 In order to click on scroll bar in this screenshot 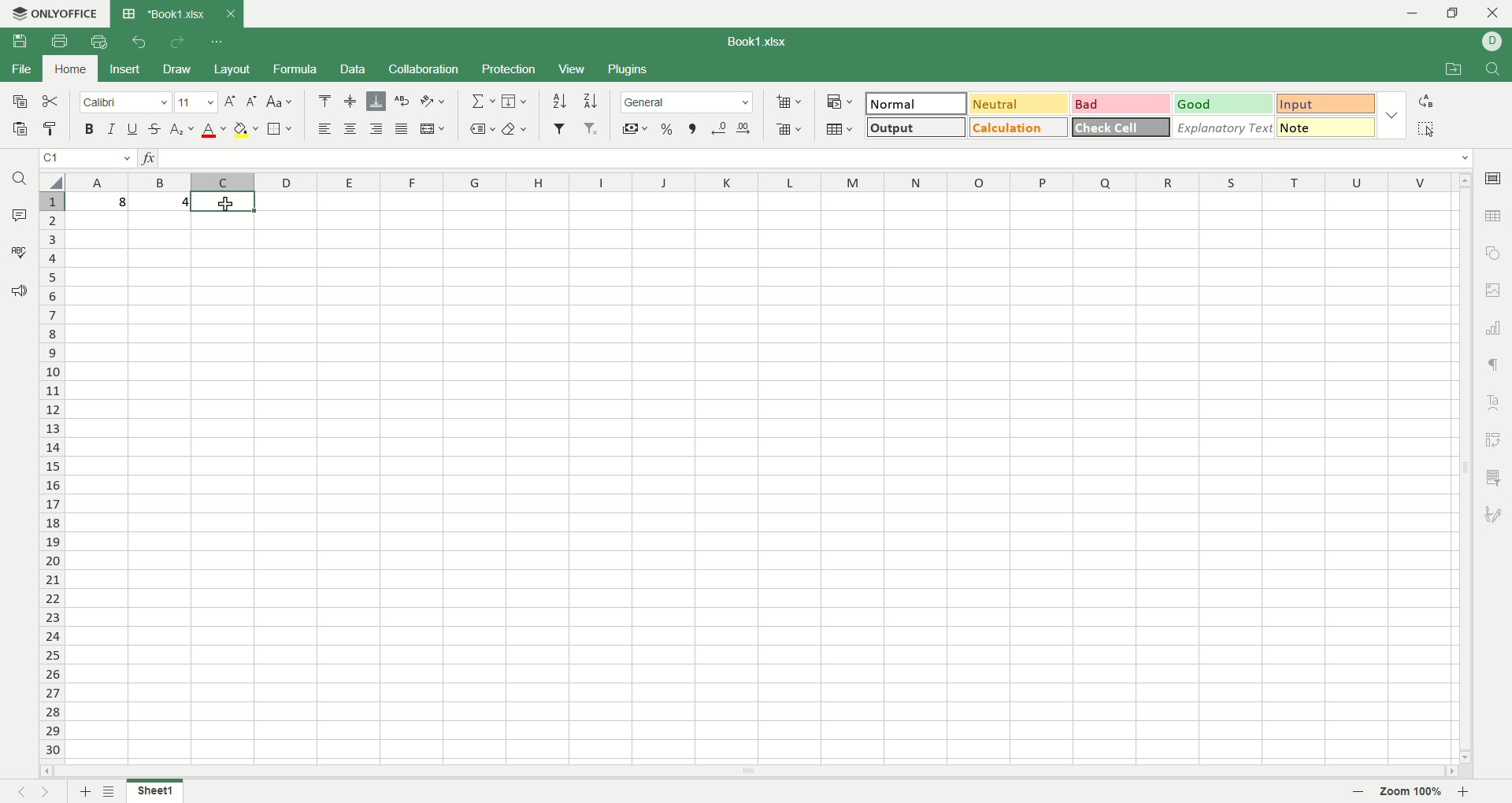, I will do `click(1462, 467)`.